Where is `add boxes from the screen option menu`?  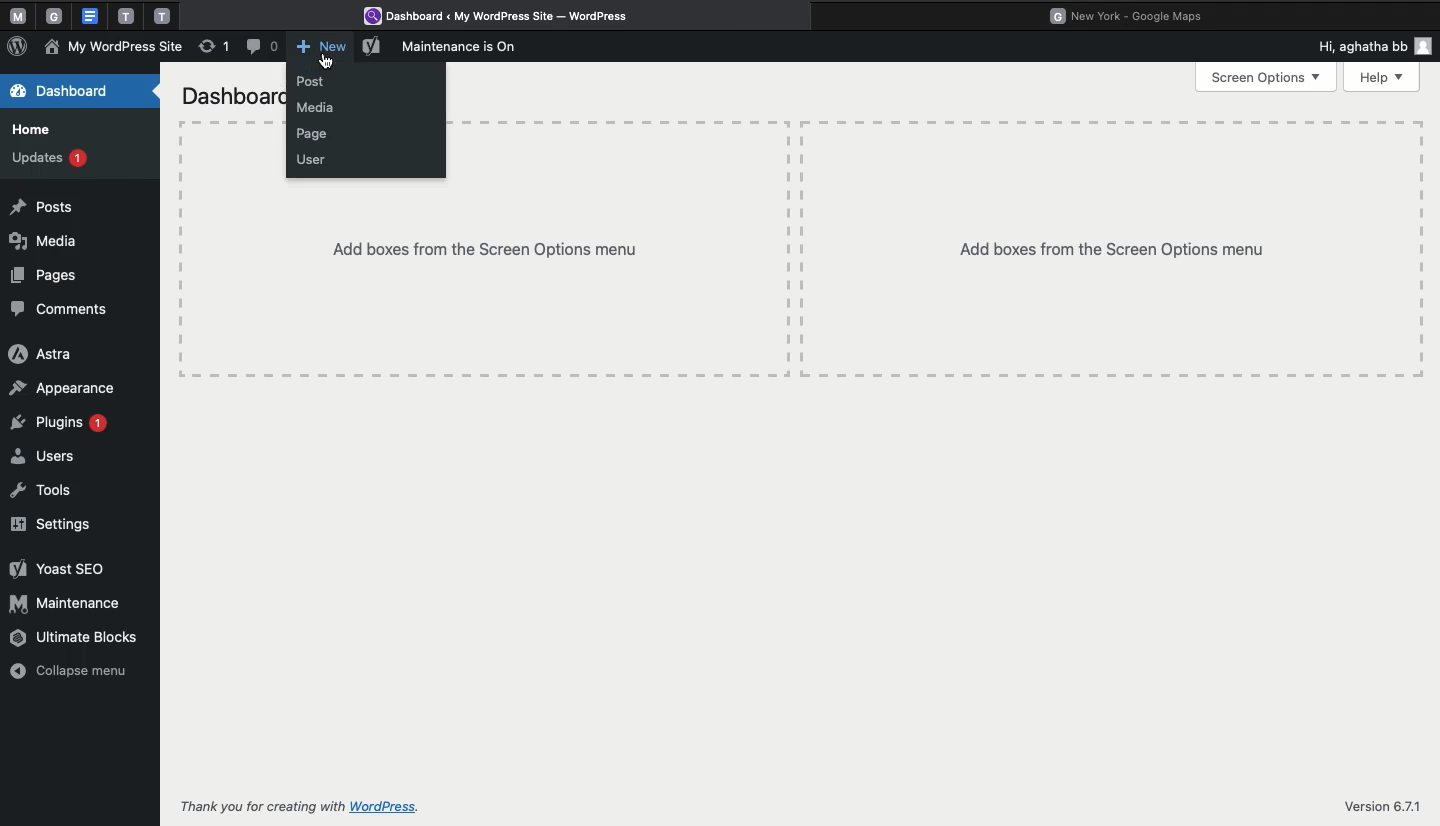
add boxes from the screen option menu is located at coordinates (479, 281).